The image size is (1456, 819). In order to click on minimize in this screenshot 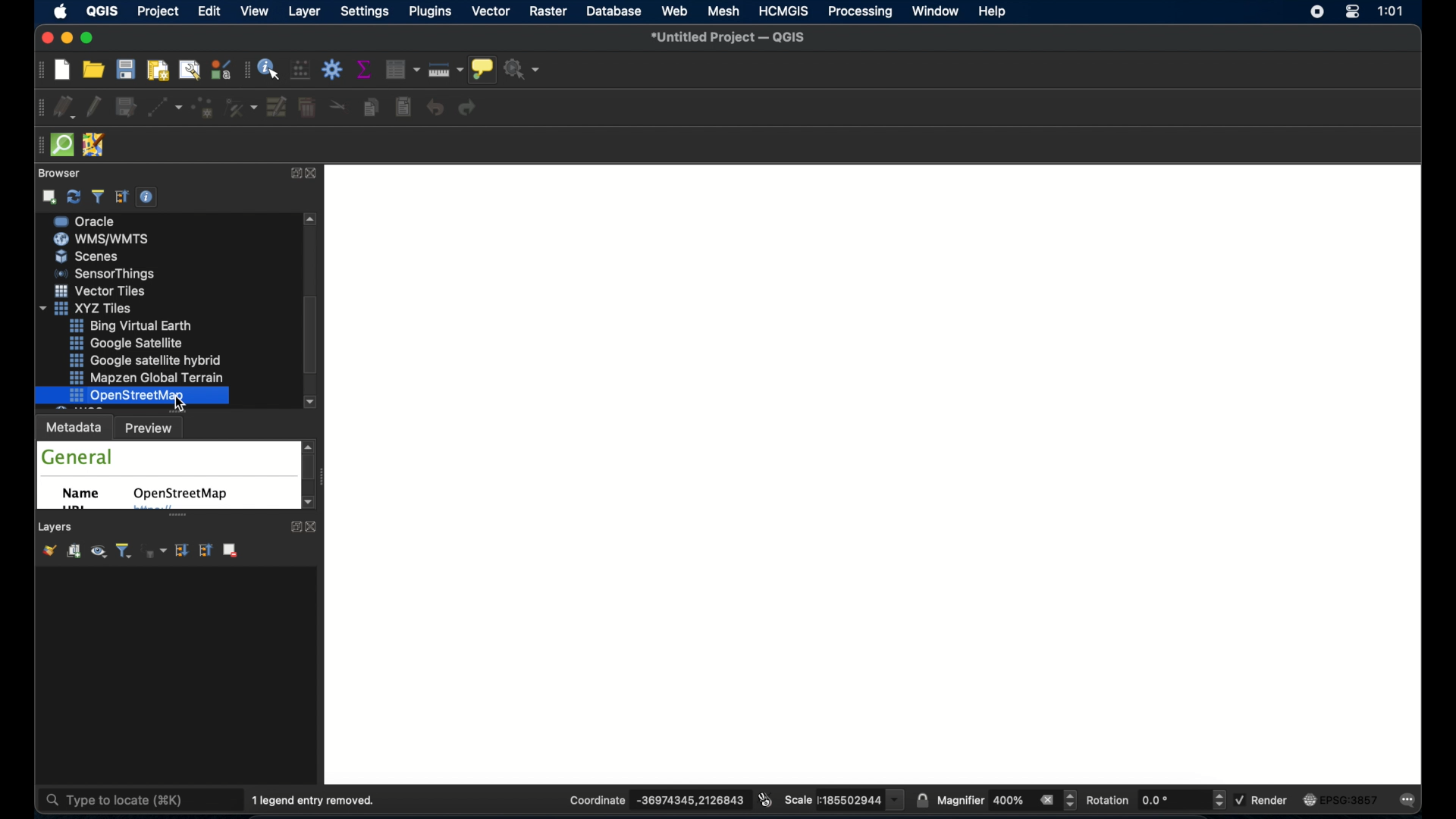, I will do `click(69, 38)`.